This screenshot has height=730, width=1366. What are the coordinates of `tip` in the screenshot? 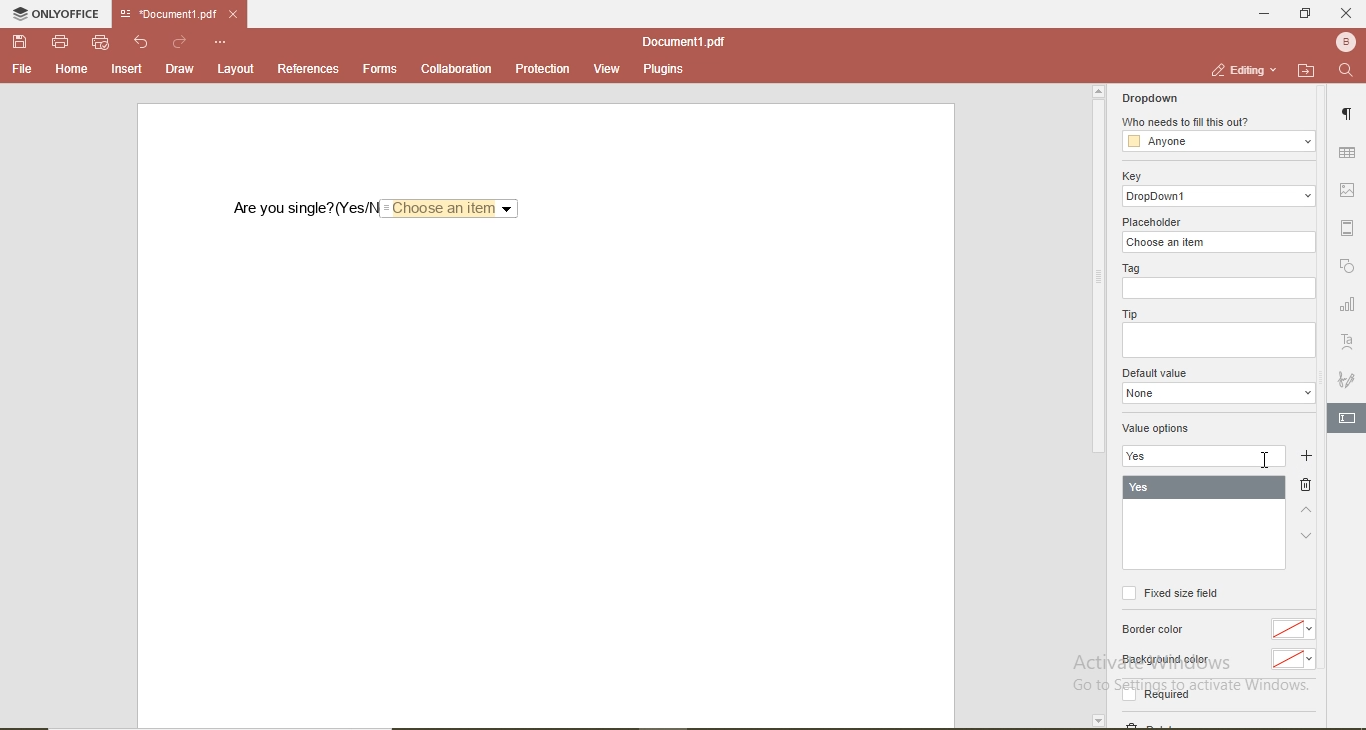 It's located at (1129, 313).